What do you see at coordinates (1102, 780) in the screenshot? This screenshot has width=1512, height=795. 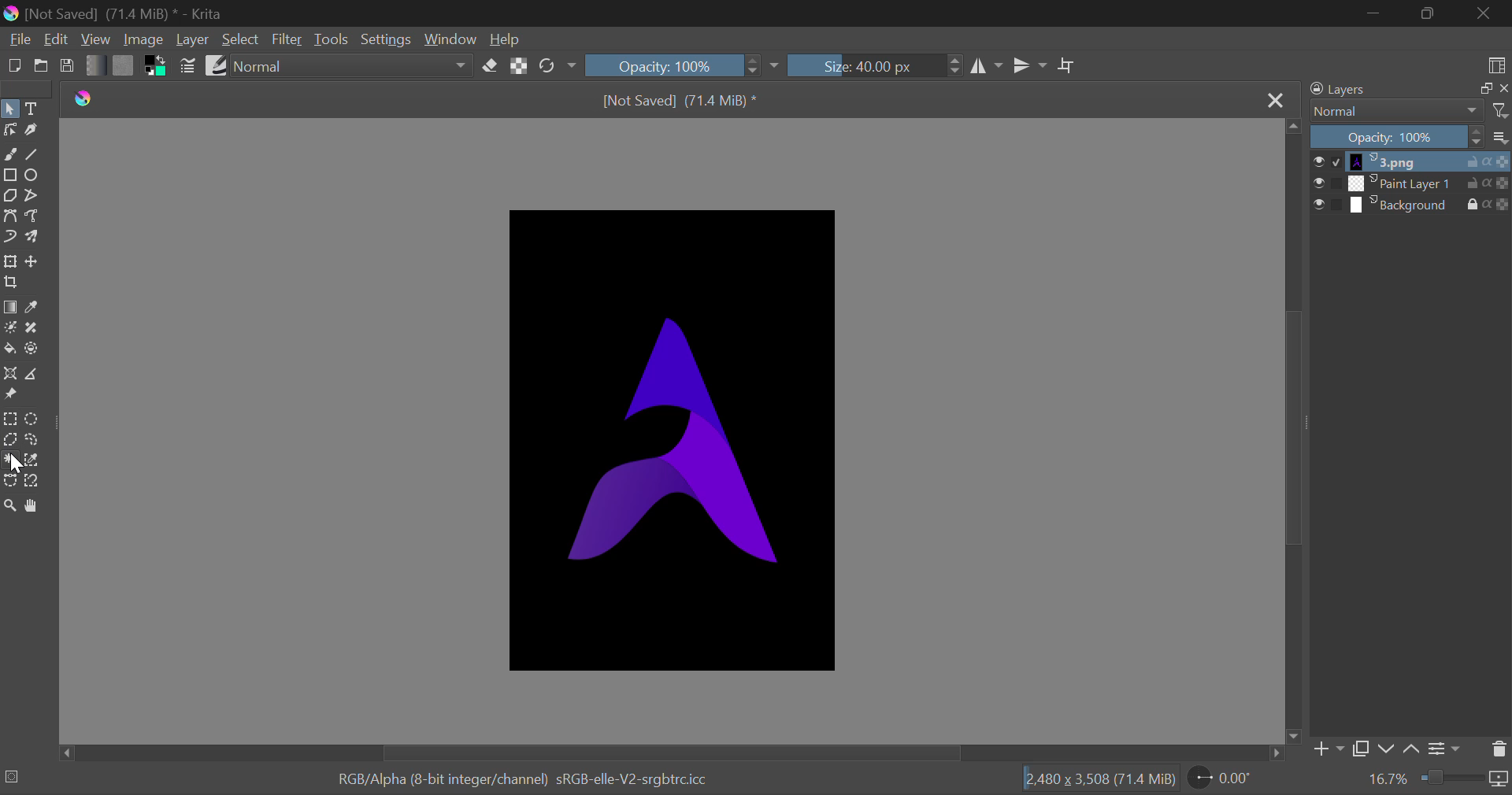 I see `[2.480 x 3,508 (71.4 MiB)` at bounding box center [1102, 780].